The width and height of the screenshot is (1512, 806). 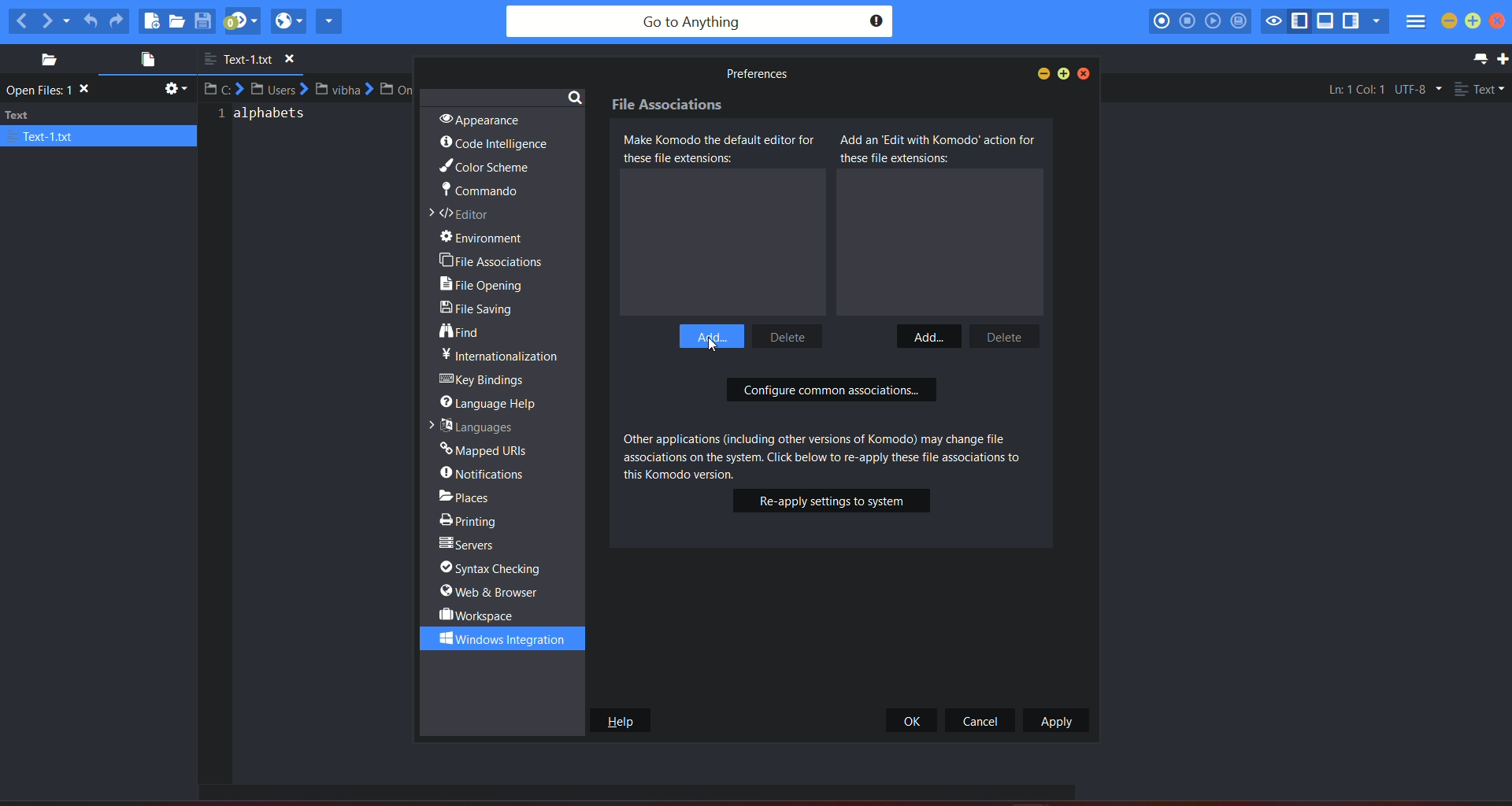 What do you see at coordinates (491, 592) in the screenshot?
I see `web & browser` at bounding box center [491, 592].